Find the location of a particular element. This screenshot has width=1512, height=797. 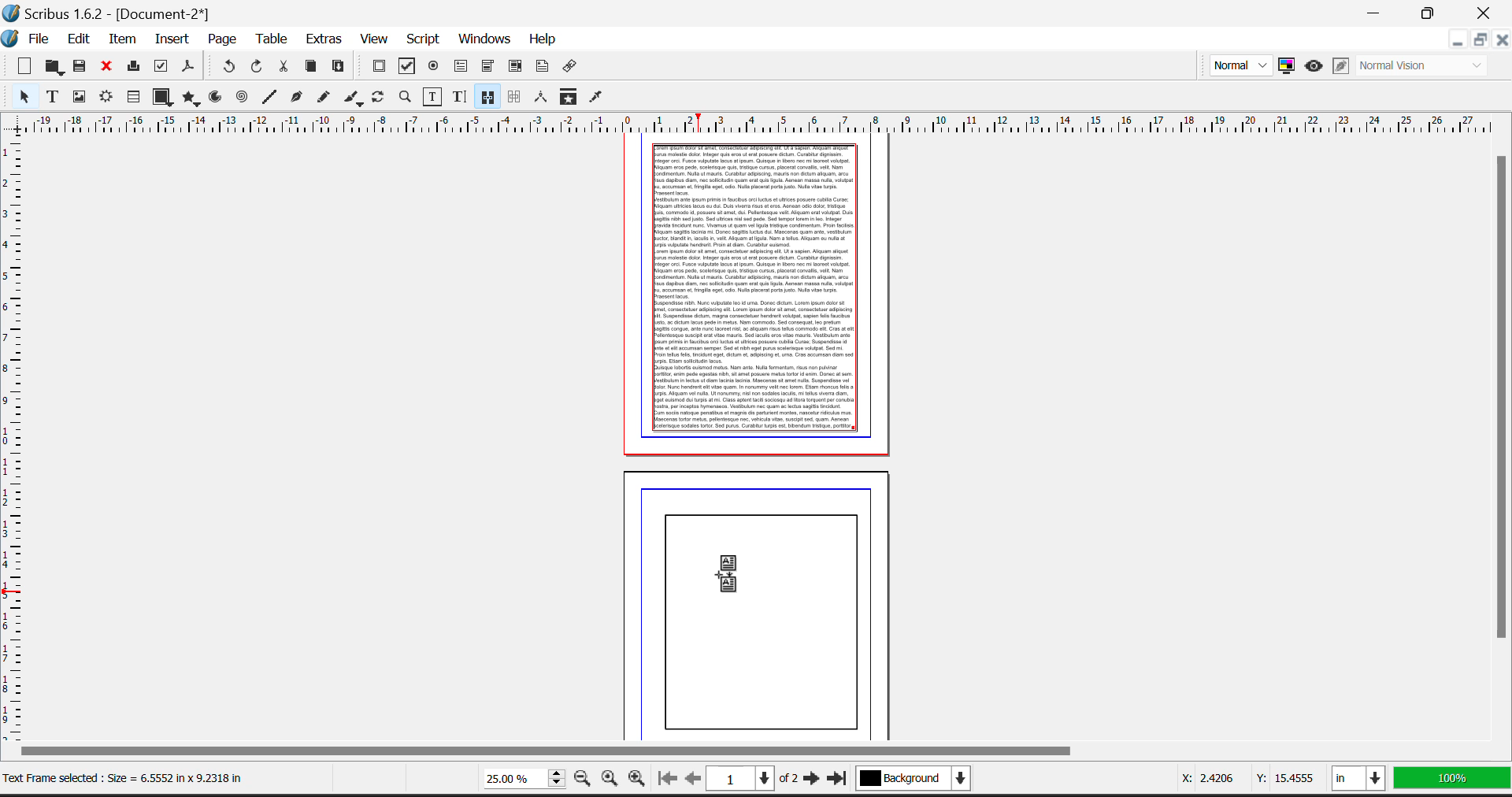

Link Text Frames is located at coordinates (487, 96).